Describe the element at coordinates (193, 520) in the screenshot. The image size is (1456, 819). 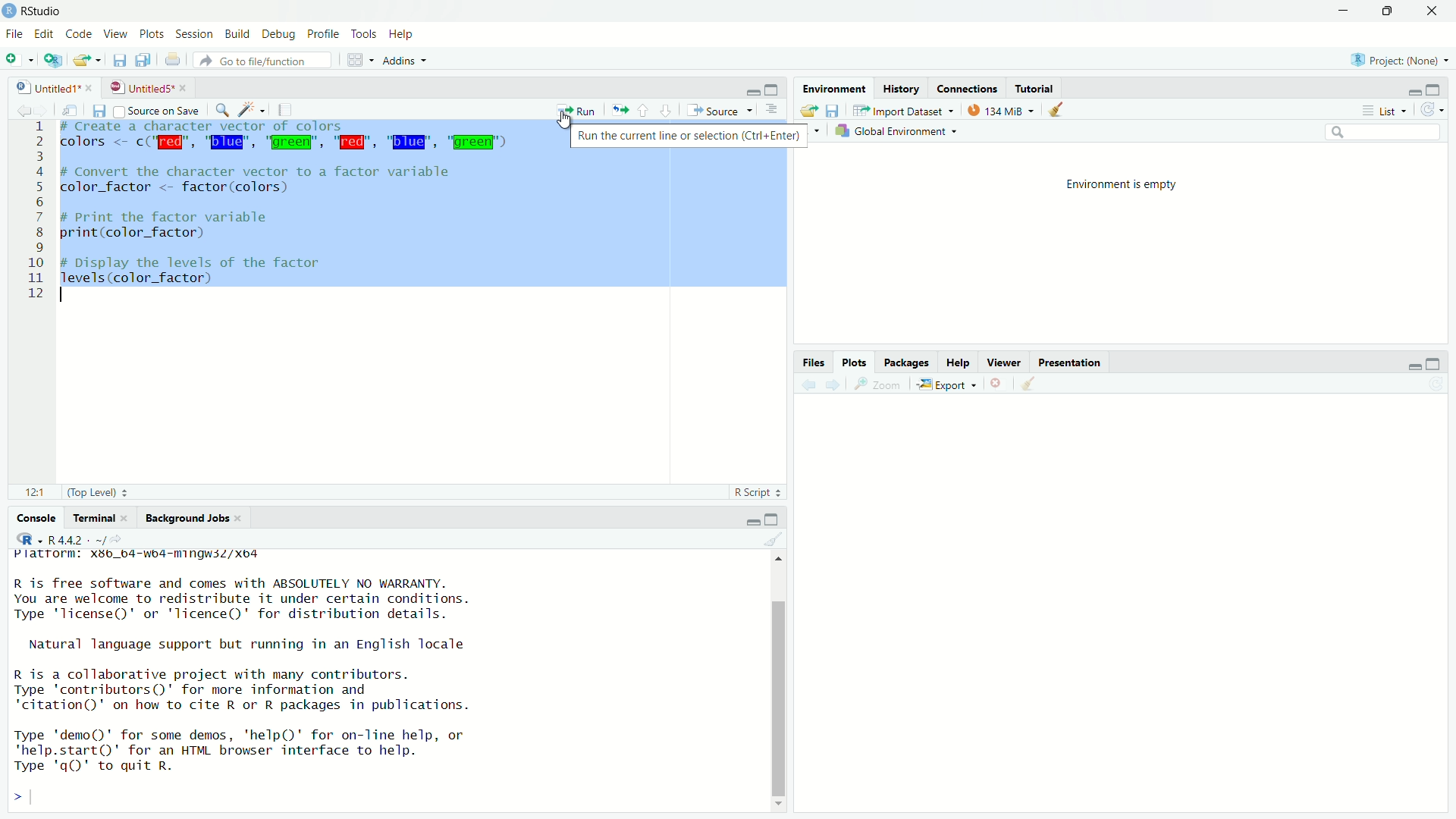
I see `background jobs` at that location.